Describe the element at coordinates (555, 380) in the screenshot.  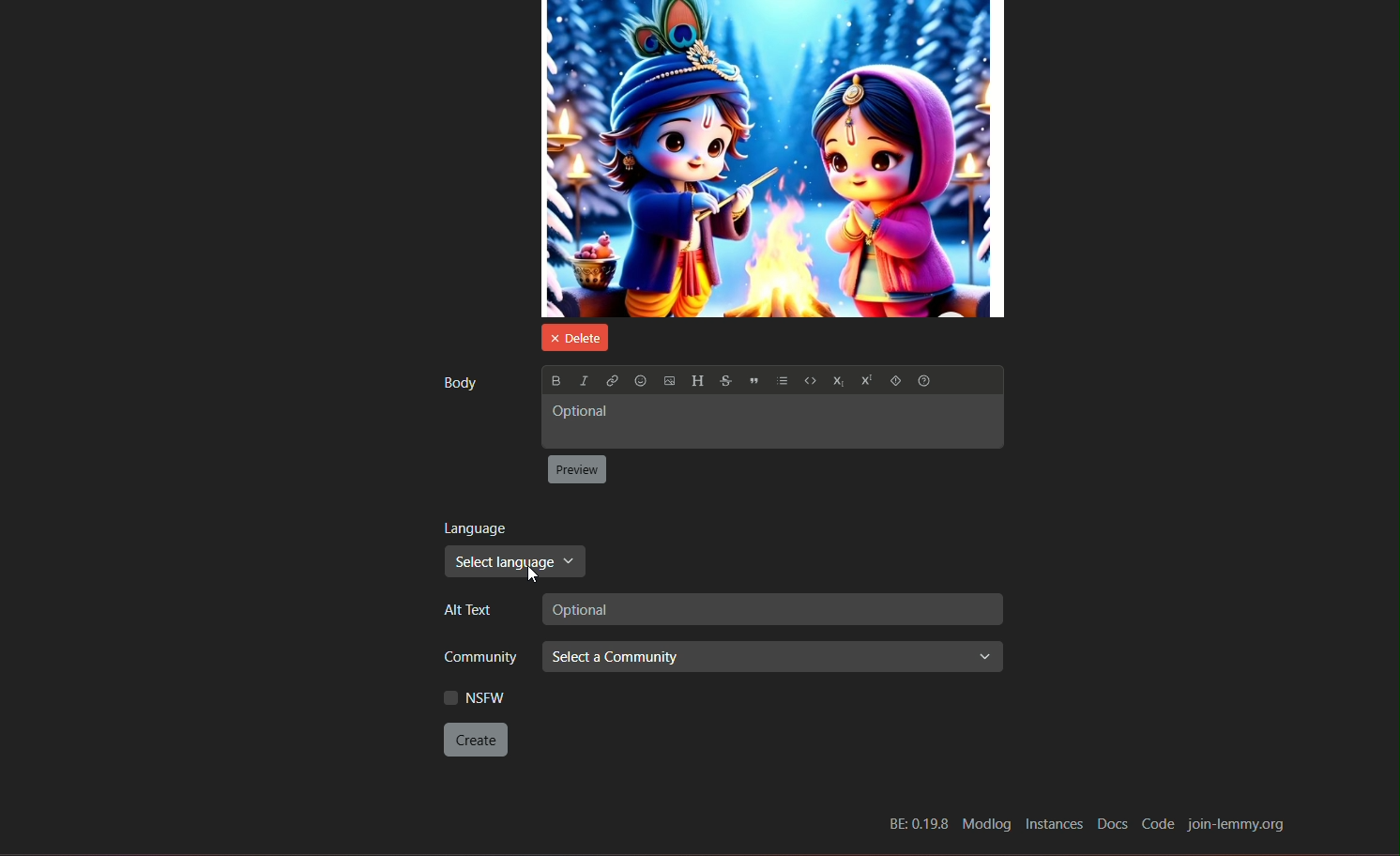
I see `bold` at that location.